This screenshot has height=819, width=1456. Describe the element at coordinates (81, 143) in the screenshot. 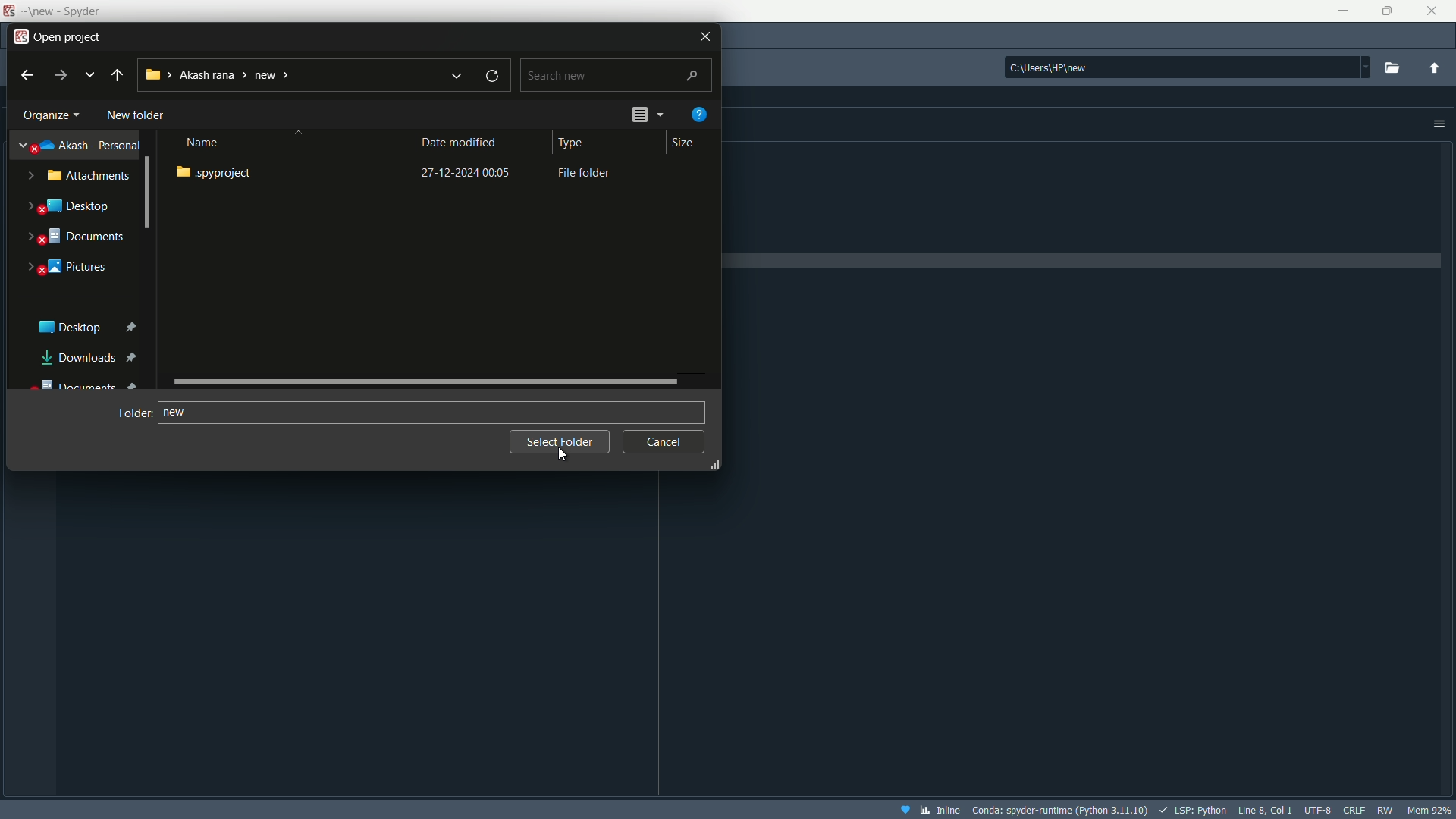

I see `akash personal` at that location.